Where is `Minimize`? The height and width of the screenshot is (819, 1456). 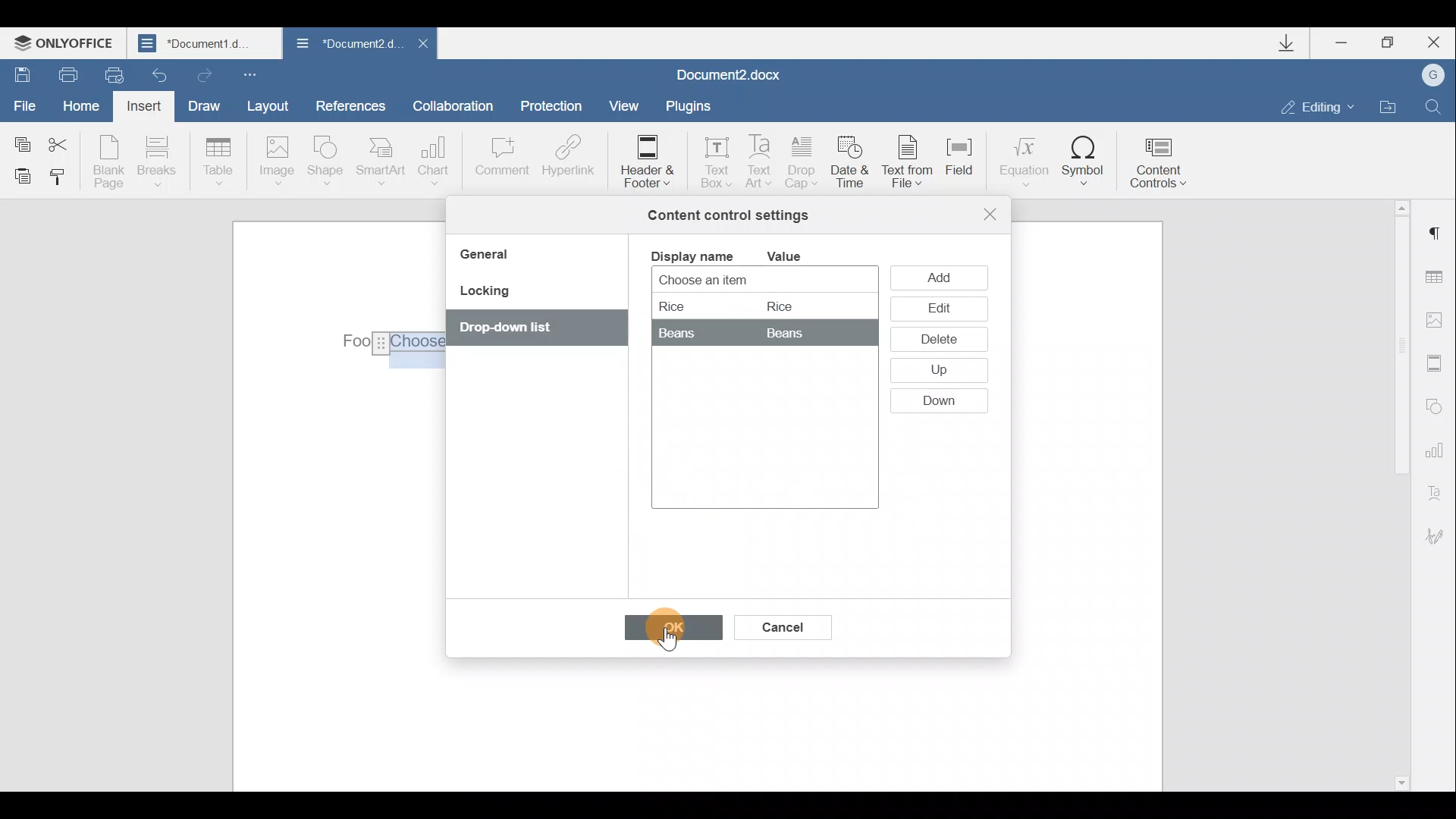 Minimize is located at coordinates (1348, 45).